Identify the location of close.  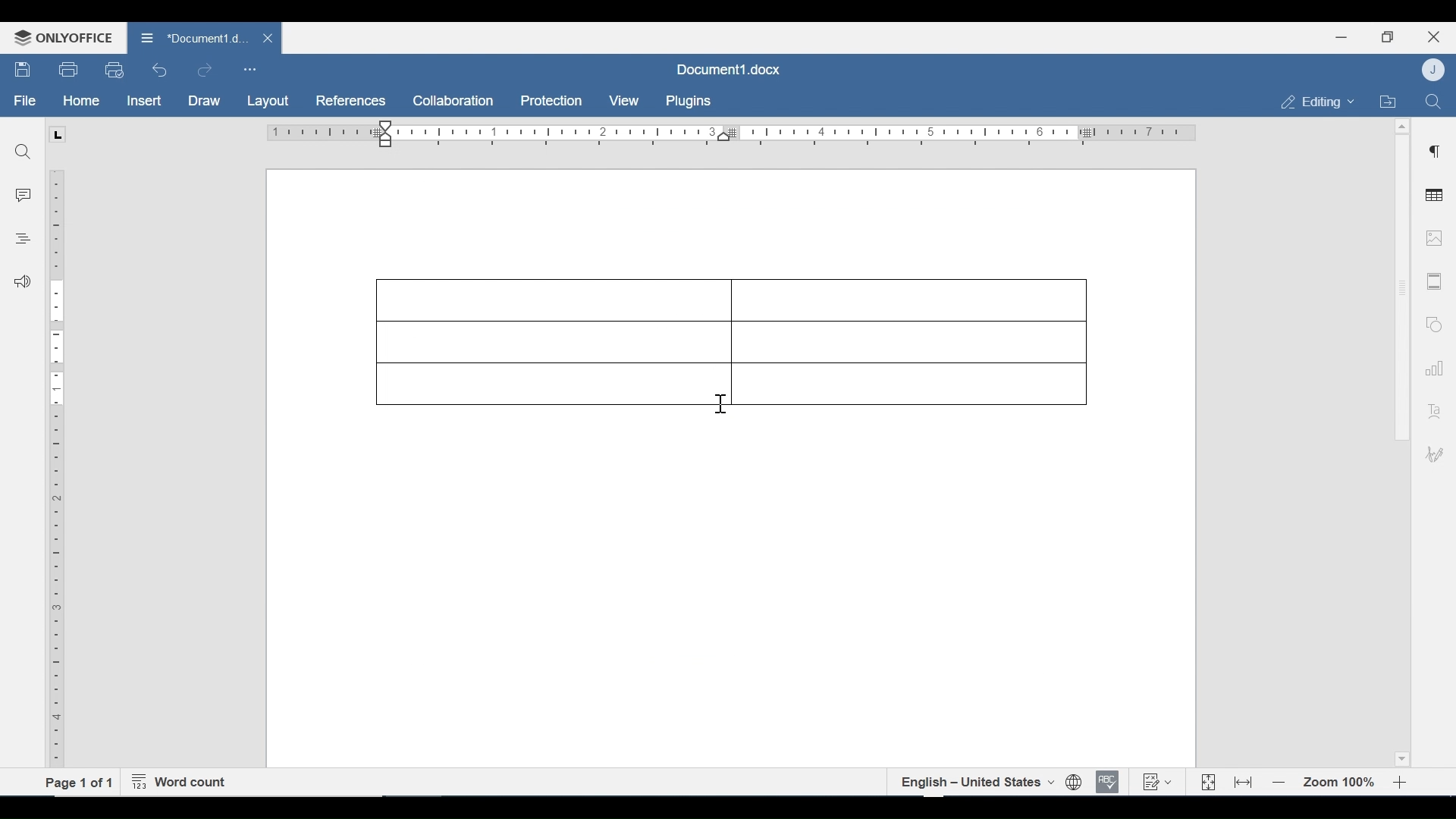
(270, 37).